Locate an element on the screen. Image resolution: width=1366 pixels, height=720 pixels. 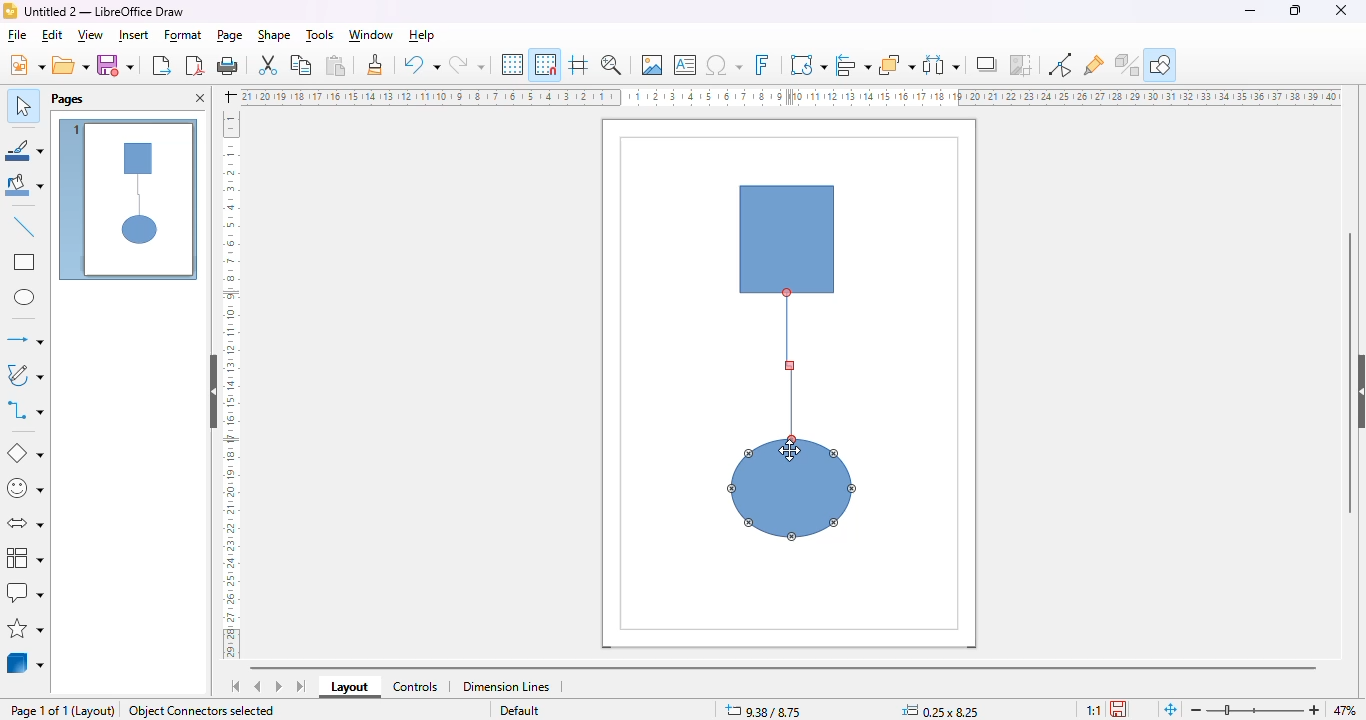
stars and banners is located at coordinates (27, 628).